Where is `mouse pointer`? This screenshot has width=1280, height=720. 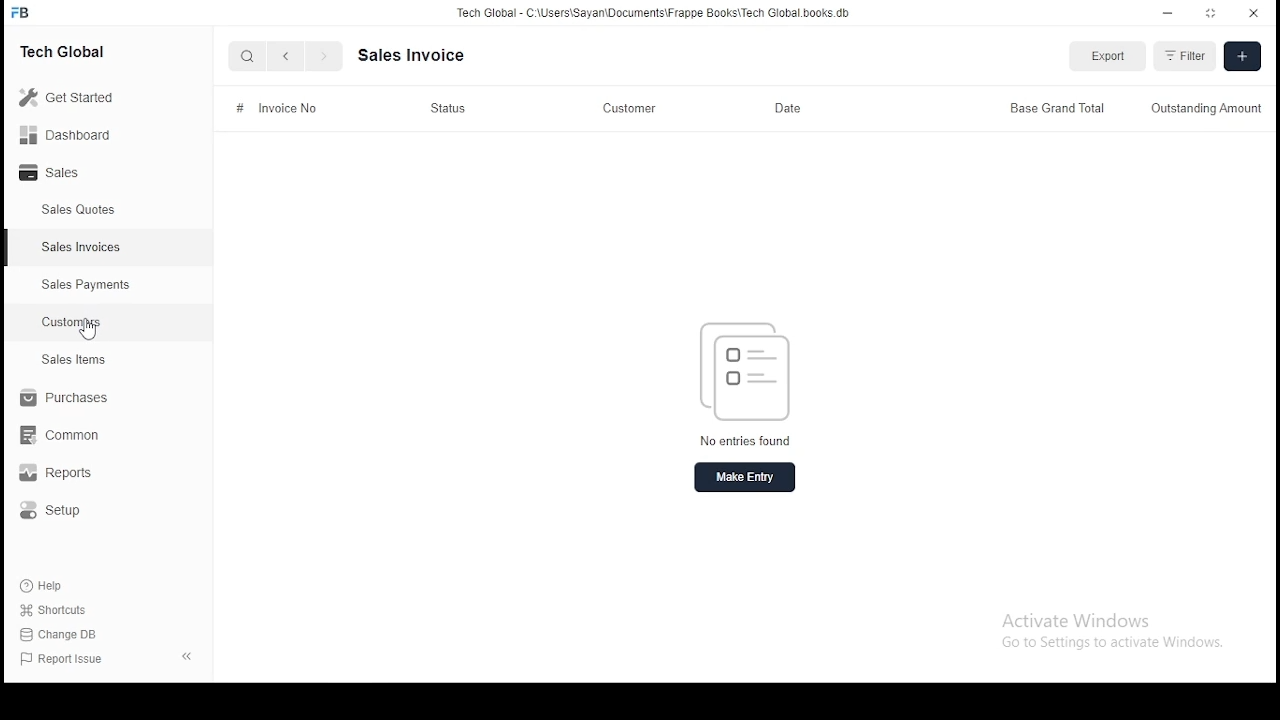
mouse pointer is located at coordinates (91, 331).